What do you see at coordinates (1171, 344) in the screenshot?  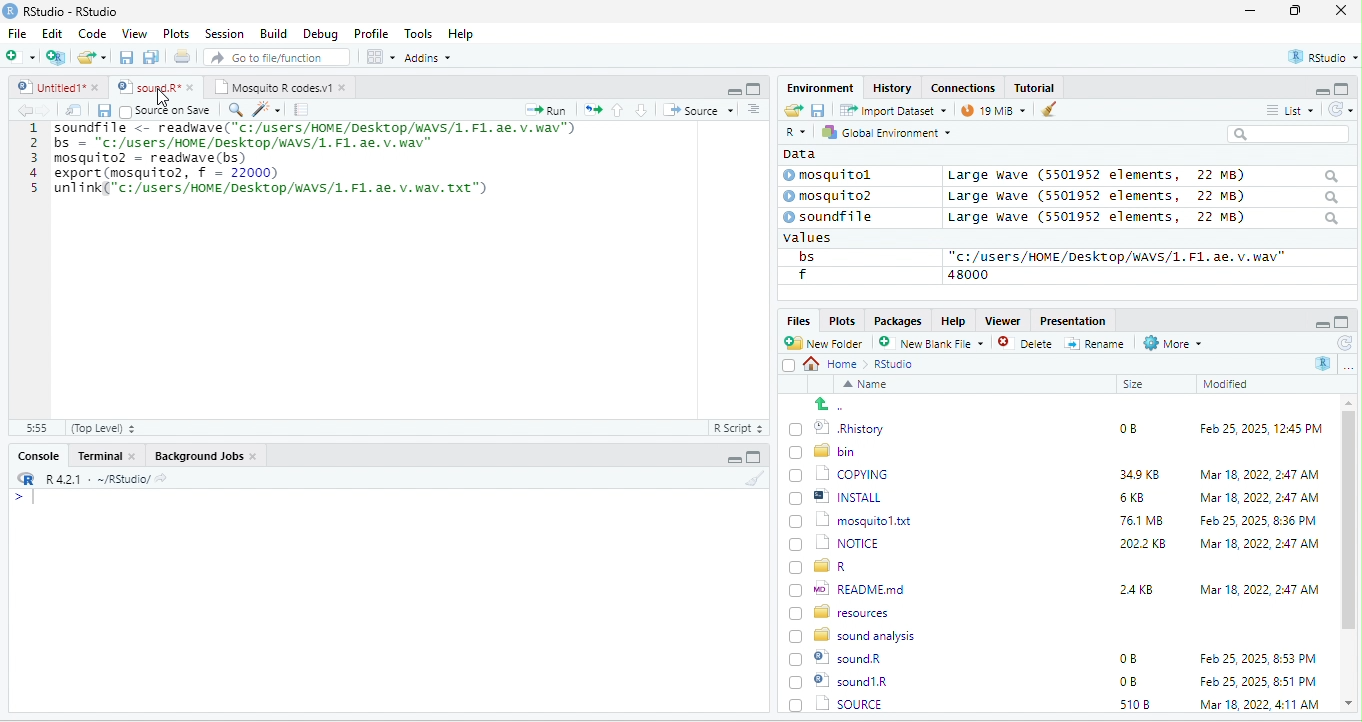 I see ` More ` at bounding box center [1171, 344].